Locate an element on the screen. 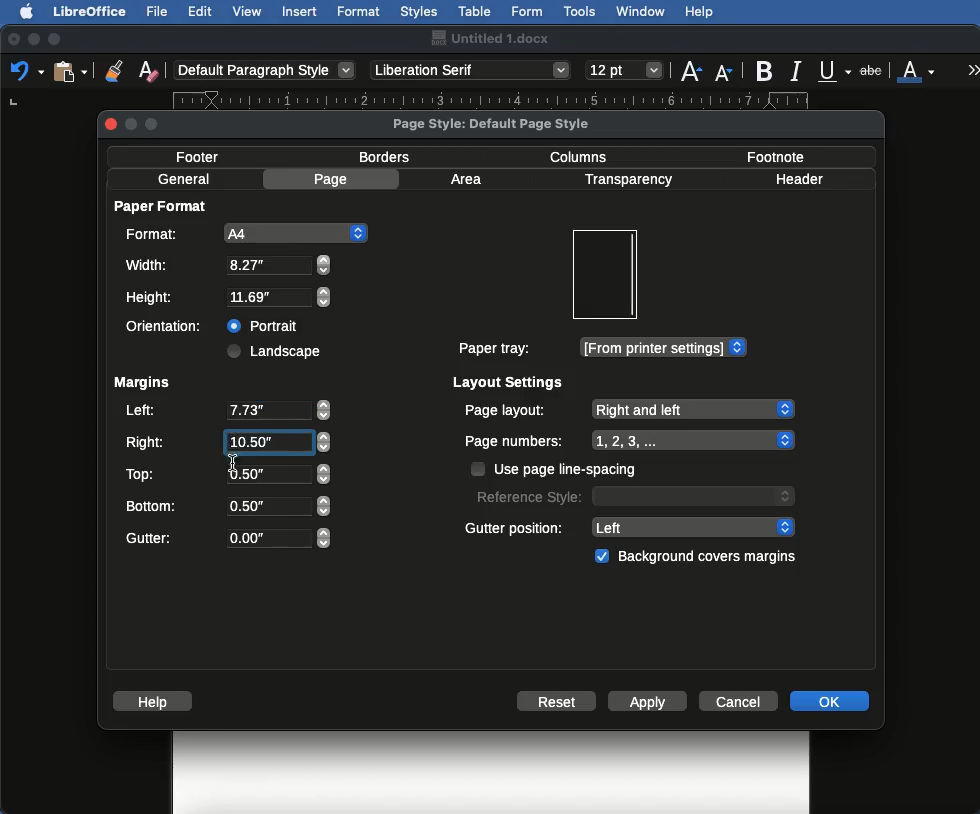 The width and height of the screenshot is (980, 814). close is located at coordinates (111, 127).